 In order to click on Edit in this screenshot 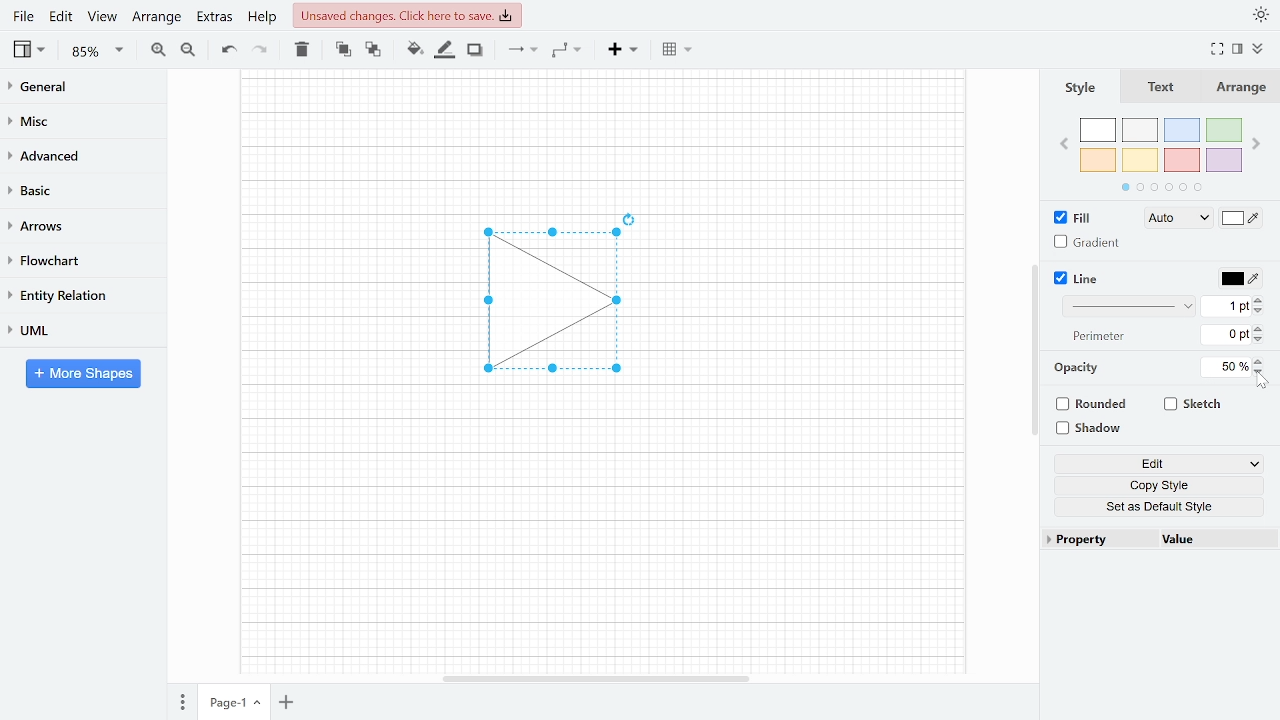, I will do `click(1159, 465)`.